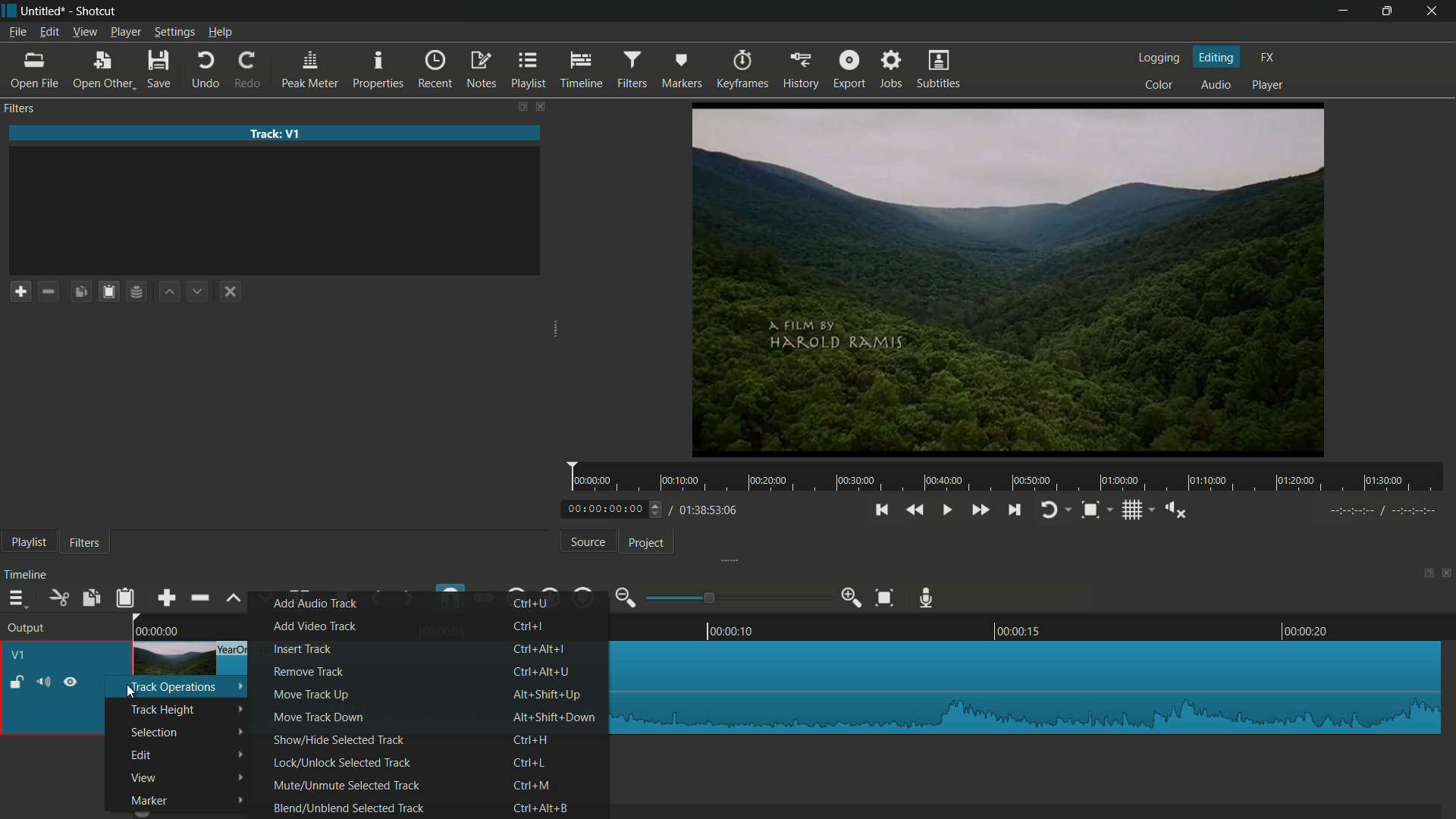 This screenshot has height=819, width=1456. Describe the element at coordinates (101, 71) in the screenshot. I see `open other` at that location.